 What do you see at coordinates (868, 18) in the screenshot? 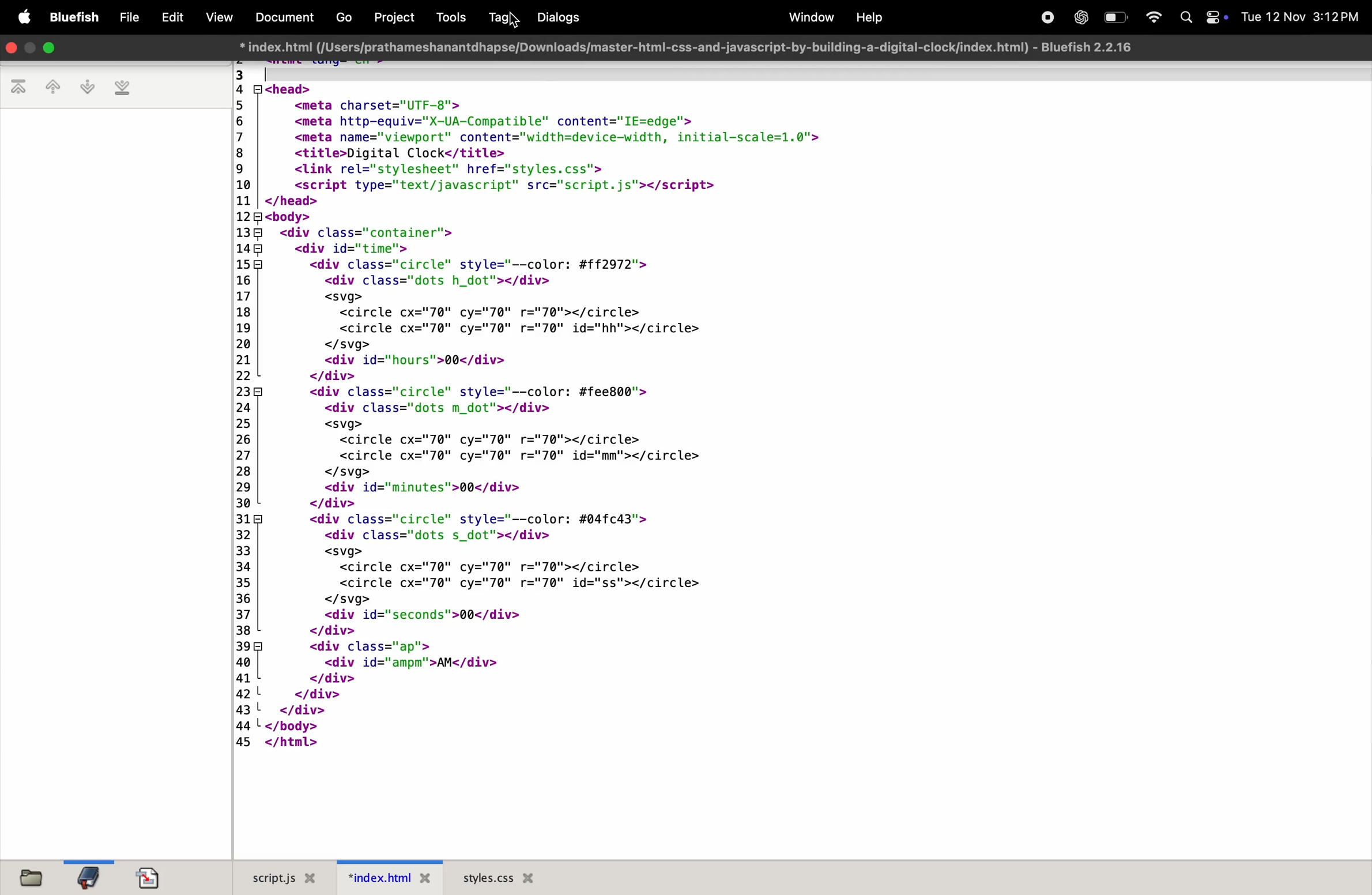
I see `help` at bounding box center [868, 18].